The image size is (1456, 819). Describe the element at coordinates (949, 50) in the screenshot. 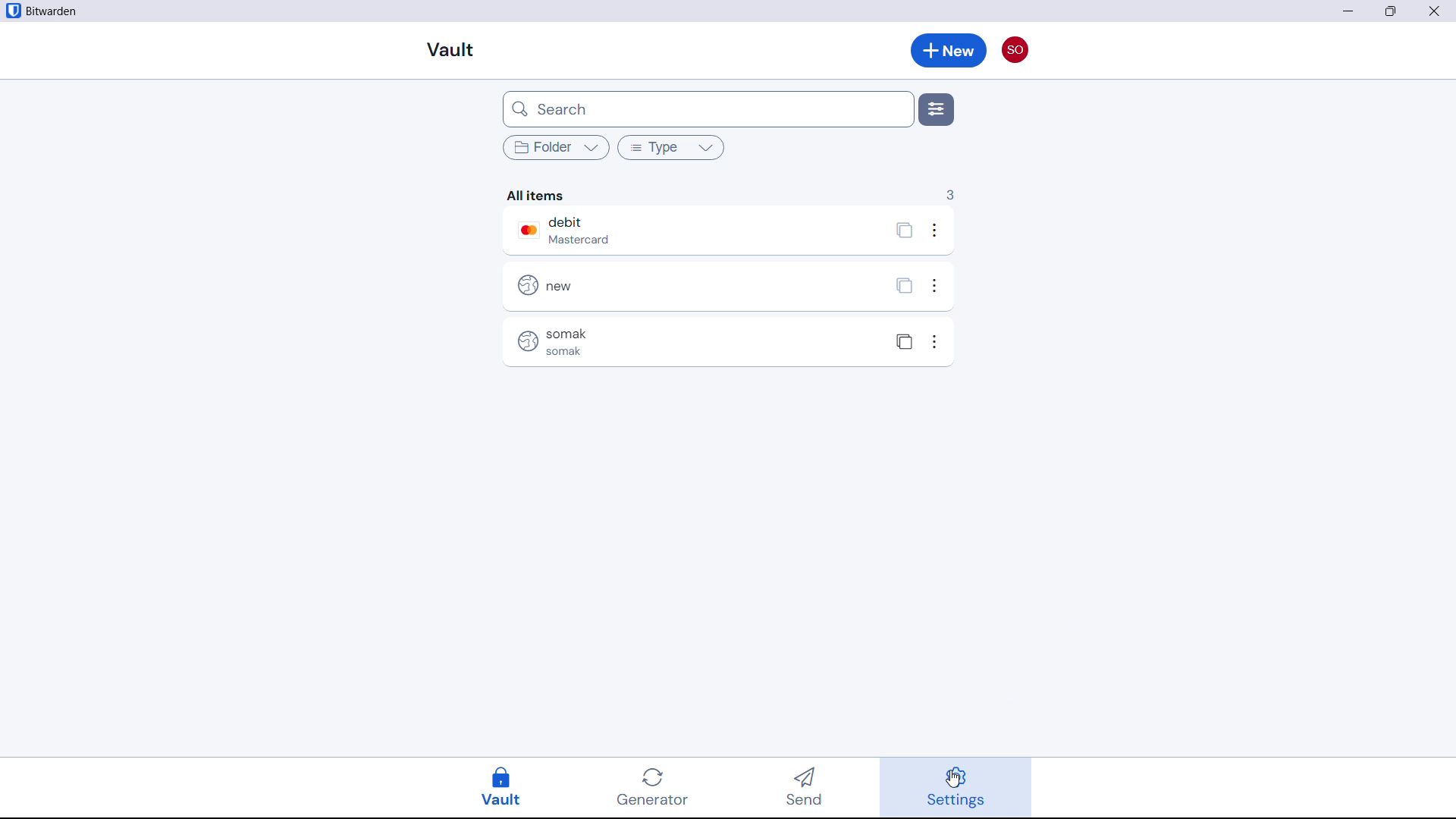

I see `Add new ` at that location.